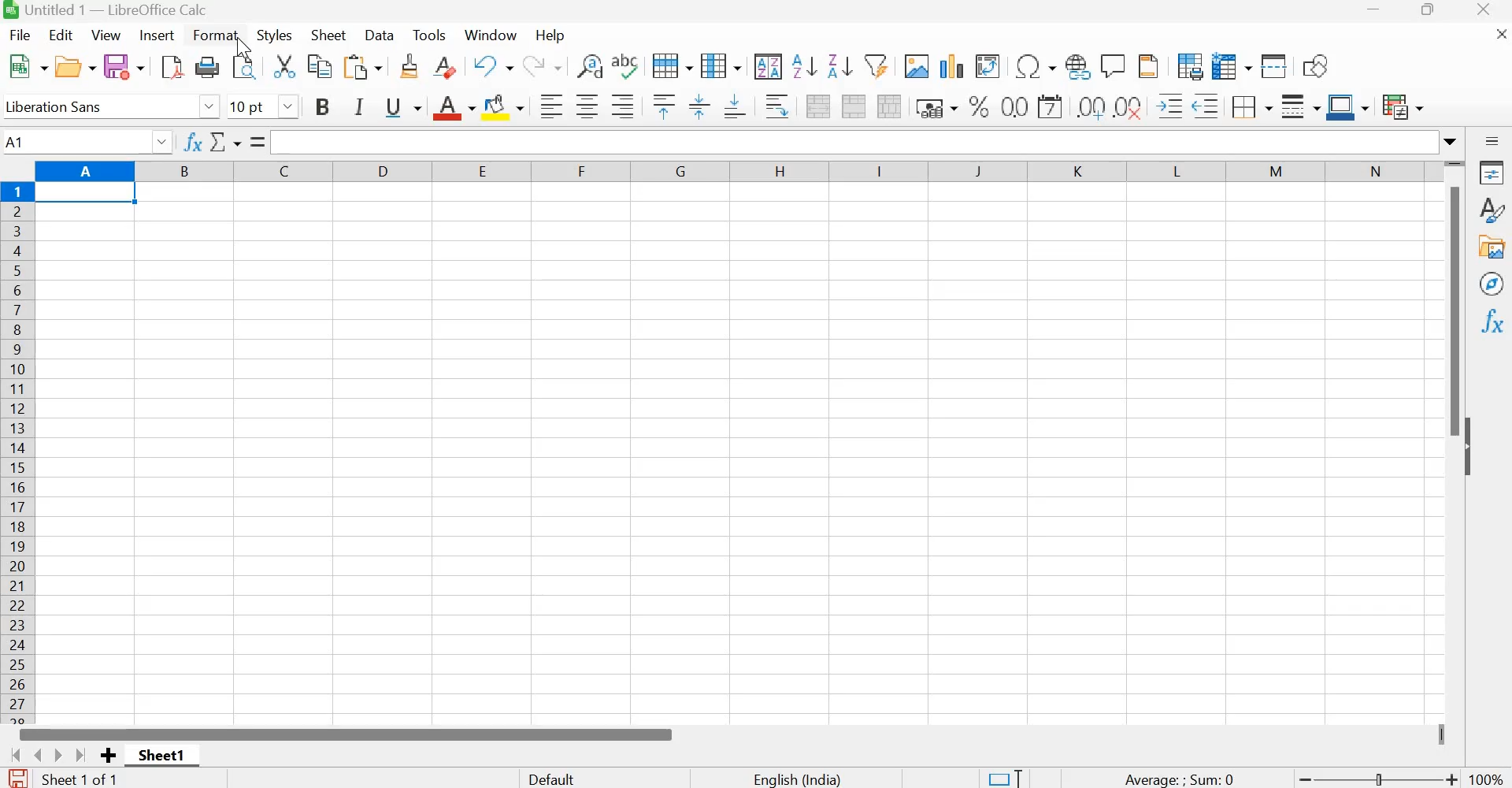 Image resolution: width=1512 pixels, height=788 pixels. I want to click on Sheet1, so click(161, 754).